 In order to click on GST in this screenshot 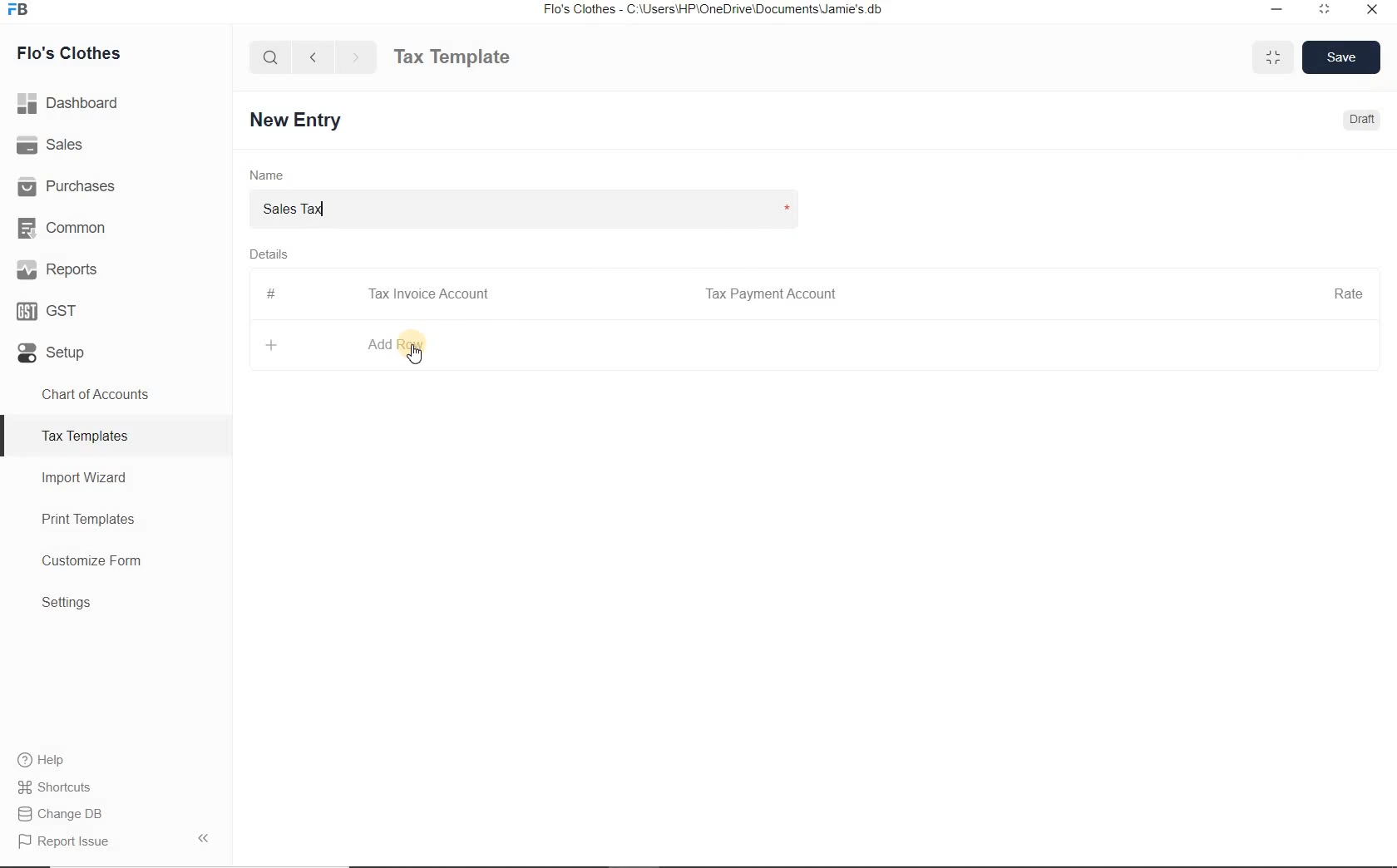, I will do `click(116, 308)`.